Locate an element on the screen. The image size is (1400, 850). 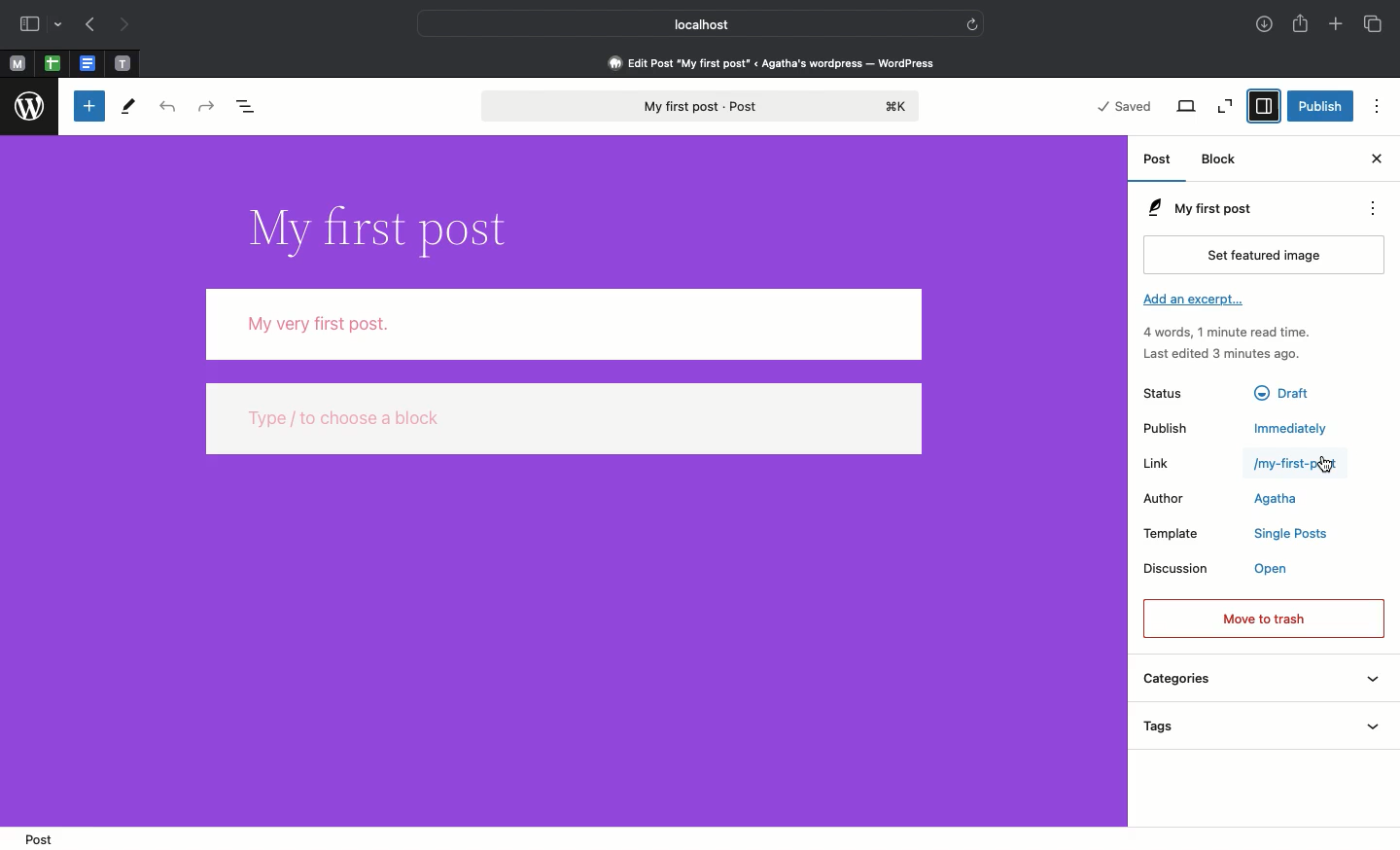
pinned tabs is located at coordinates (126, 64).